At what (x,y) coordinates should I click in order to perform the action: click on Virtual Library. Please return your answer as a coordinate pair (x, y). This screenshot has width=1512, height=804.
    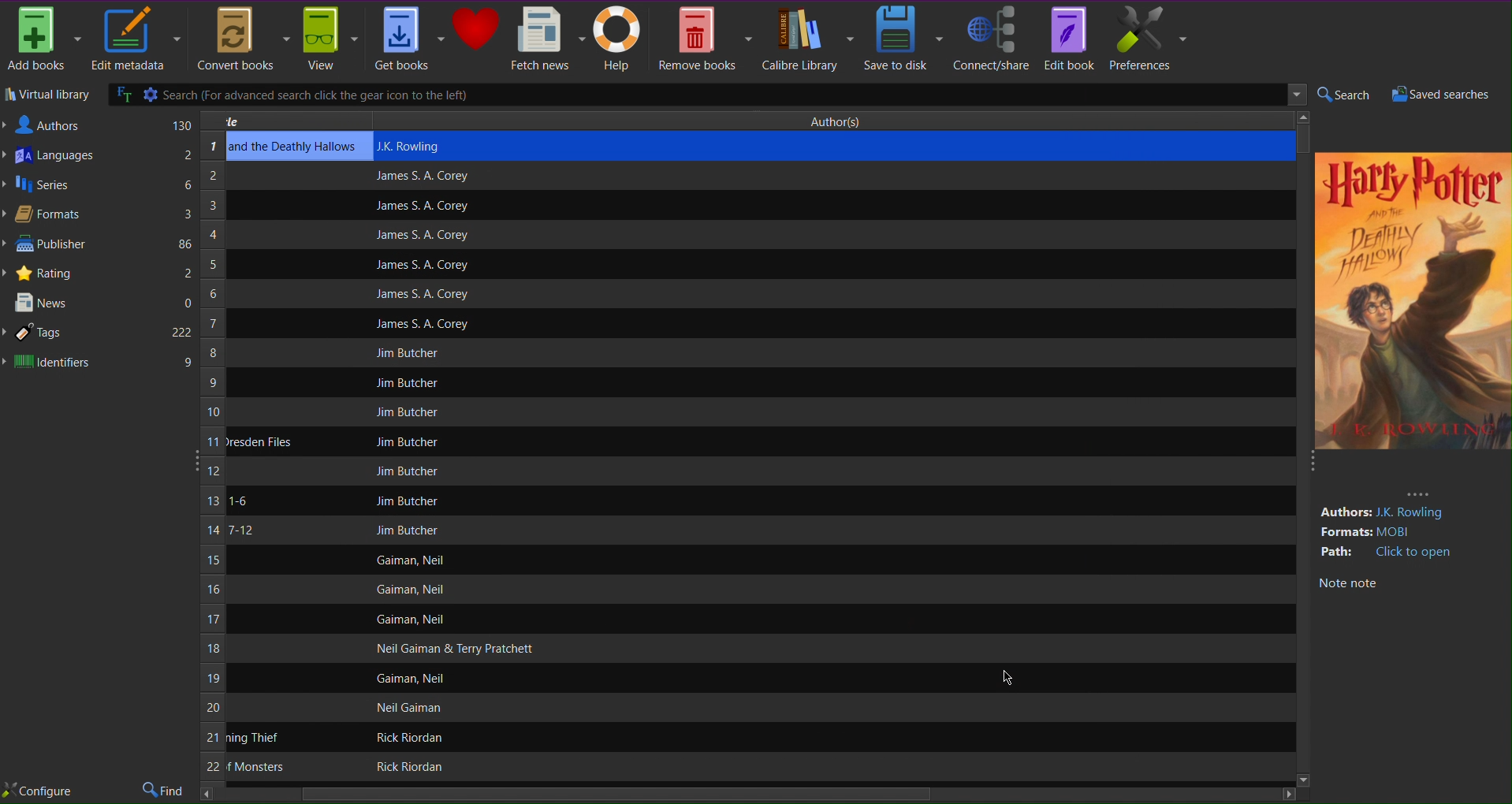
    Looking at the image, I should click on (47, 96).